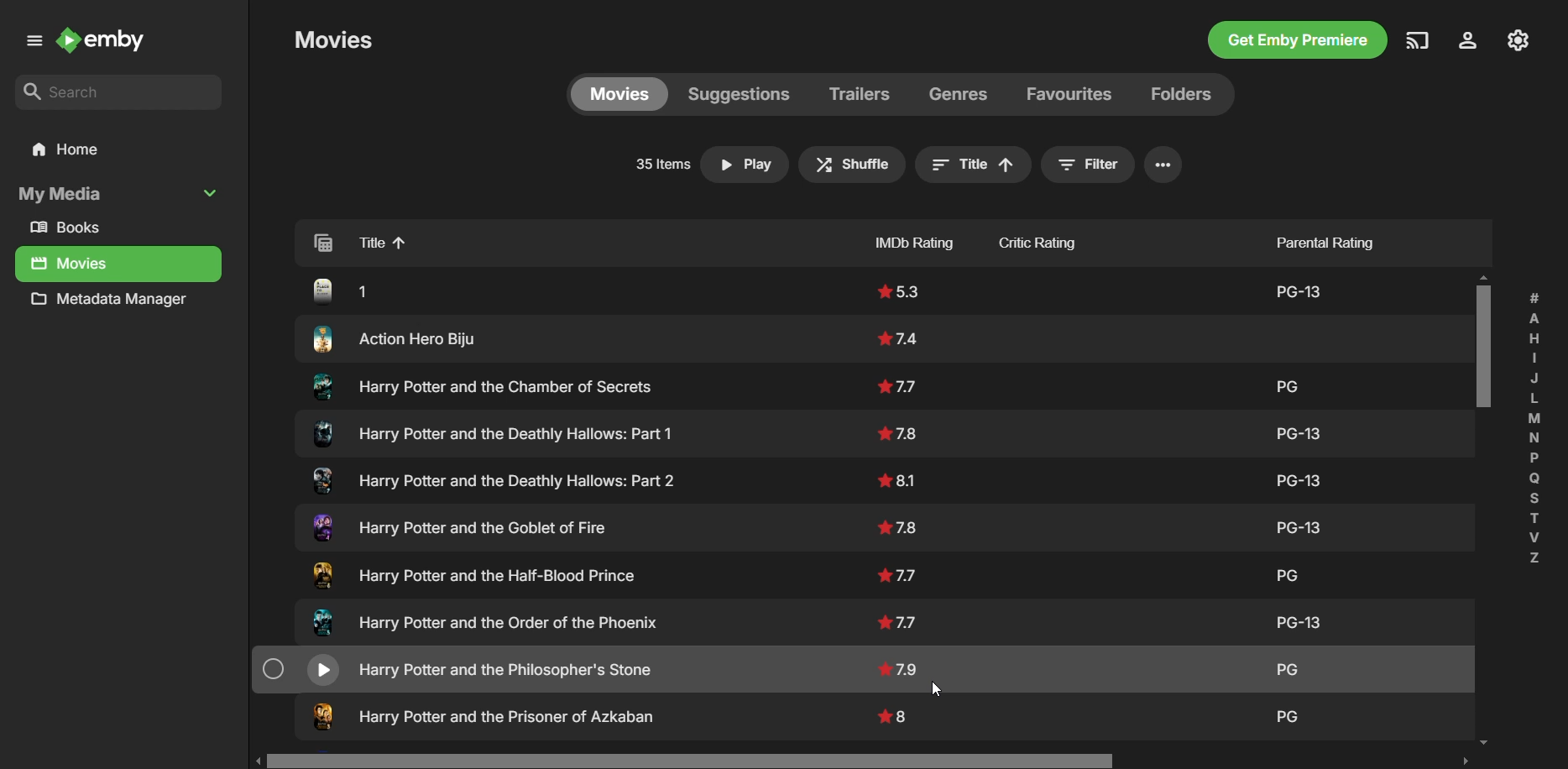  Describe the element at coordinates (1520, 39) in the screenshot. I see `Manage Emby Server` at that location.